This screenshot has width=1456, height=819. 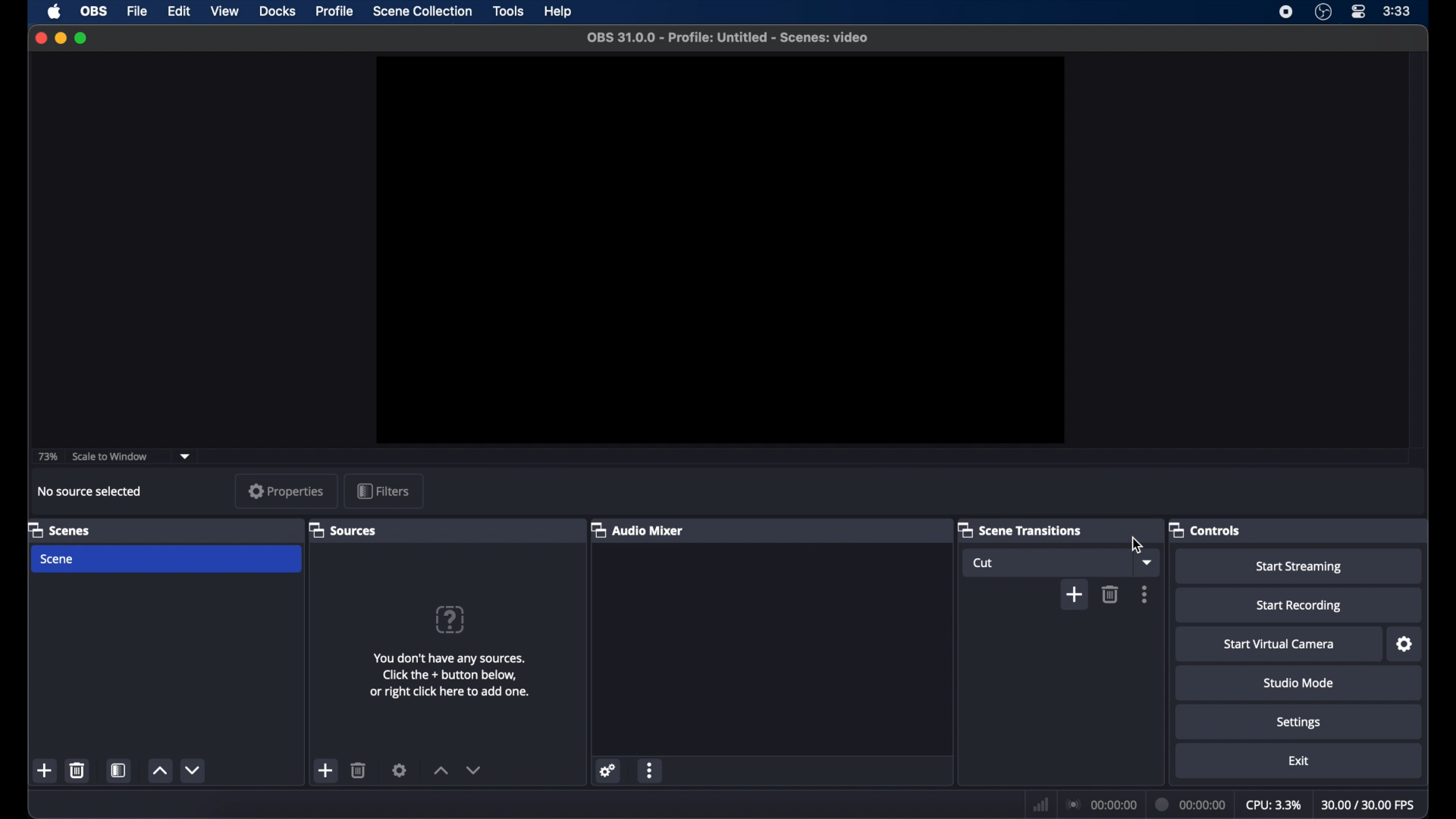 I want to click on add, so click(x=1075, y=595).